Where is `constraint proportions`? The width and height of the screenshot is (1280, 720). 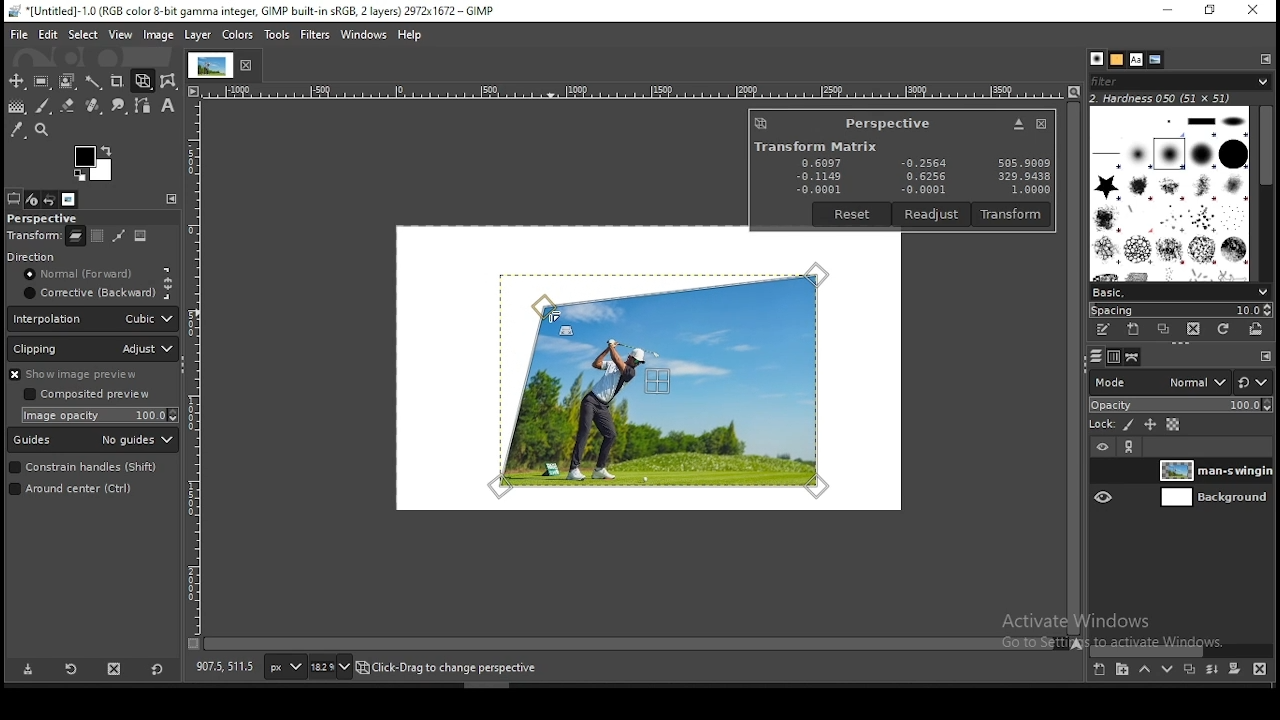 constraint proportions is located at coordinates (169, 282).